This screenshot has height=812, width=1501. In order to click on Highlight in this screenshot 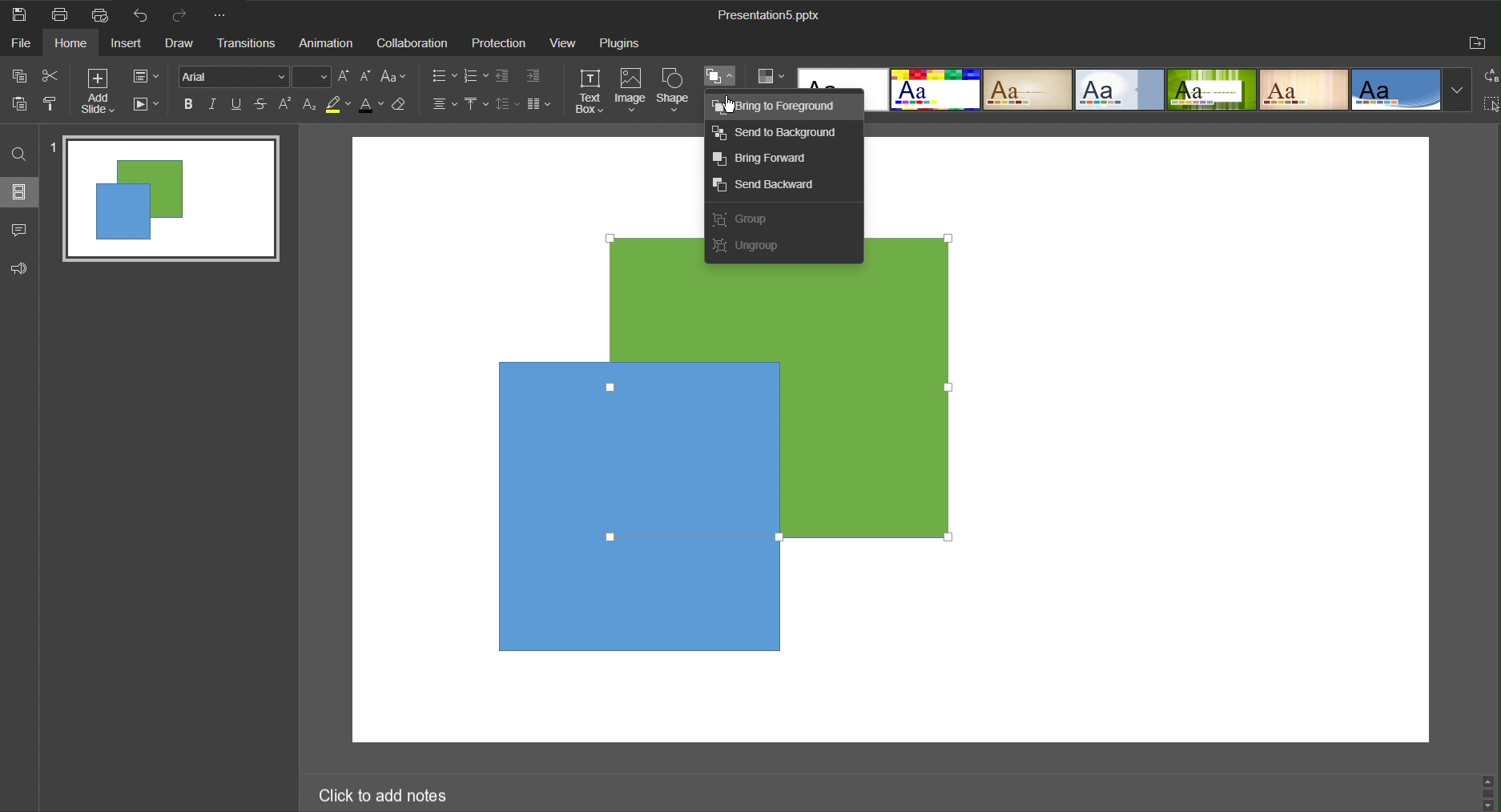, I will do `click(340, 107)`.